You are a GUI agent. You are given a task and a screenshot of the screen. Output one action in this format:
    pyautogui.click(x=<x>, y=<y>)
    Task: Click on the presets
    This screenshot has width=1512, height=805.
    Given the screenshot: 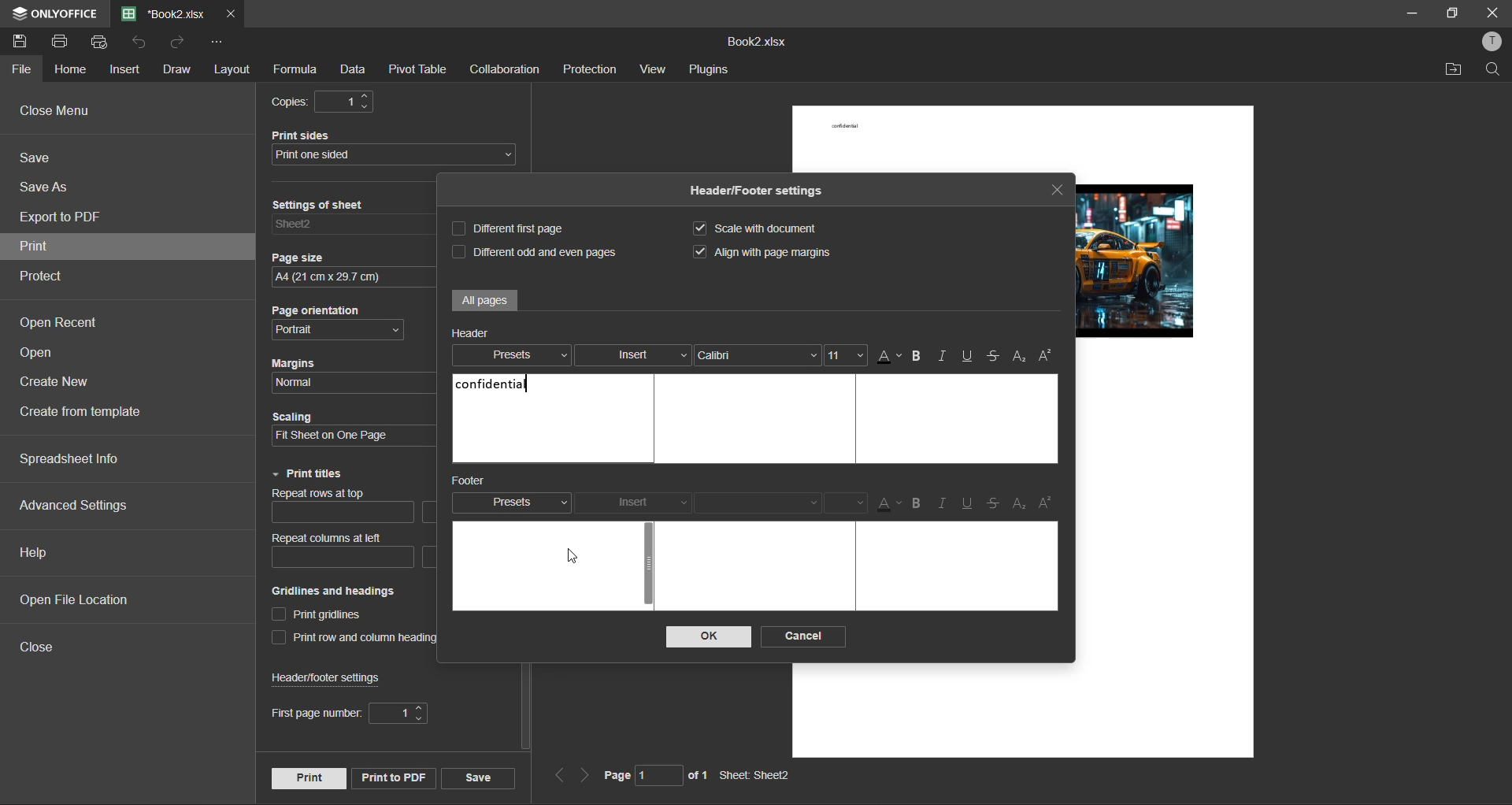 What is the action you would take?
    pyautogui.click(x=514, y=502)
    